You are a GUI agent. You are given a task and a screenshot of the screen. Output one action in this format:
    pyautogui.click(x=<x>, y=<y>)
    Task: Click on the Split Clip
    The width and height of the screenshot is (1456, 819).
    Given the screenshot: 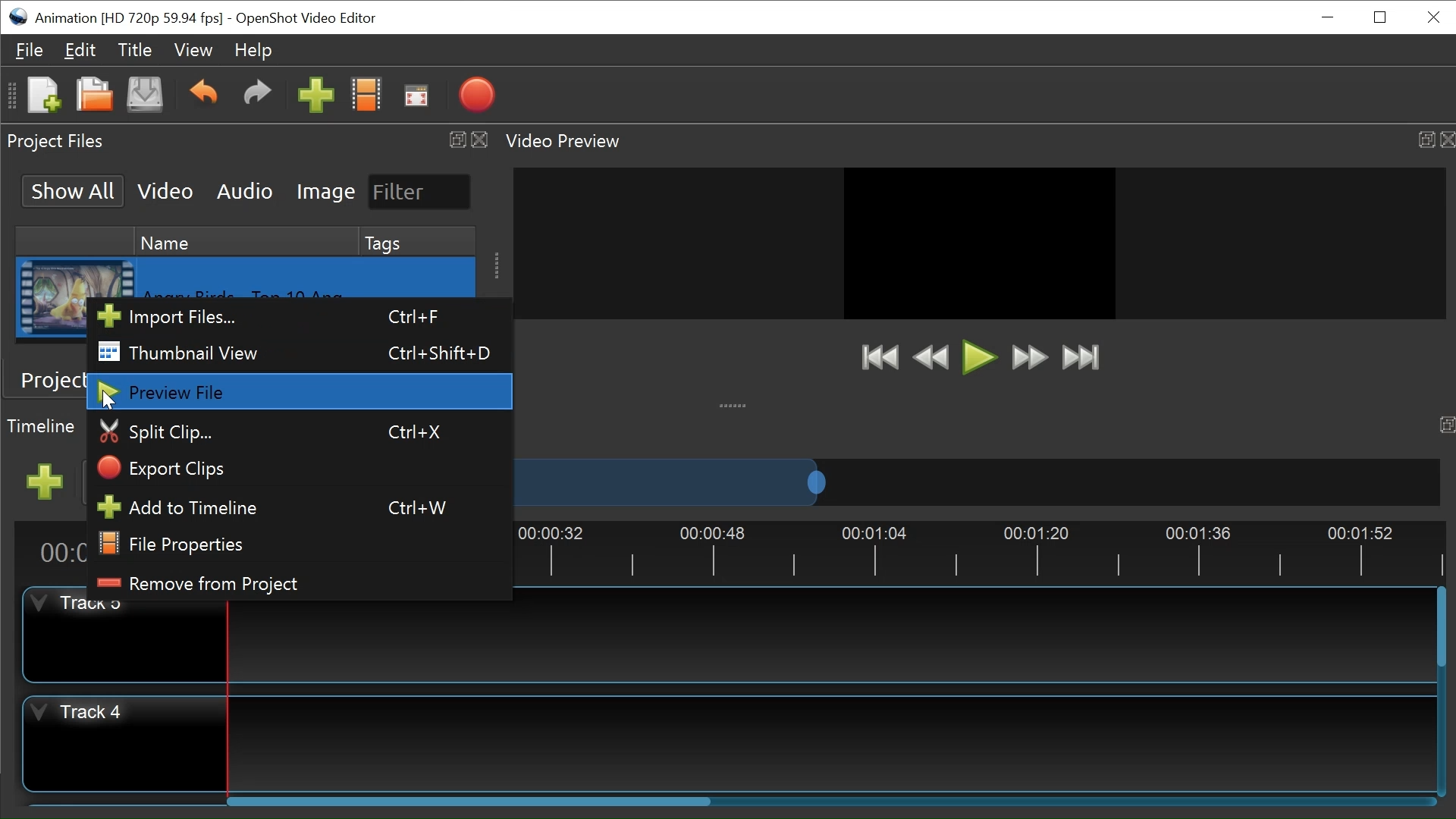 What is the action you would take?
    pyautogui.click(x=301, y=432)
    